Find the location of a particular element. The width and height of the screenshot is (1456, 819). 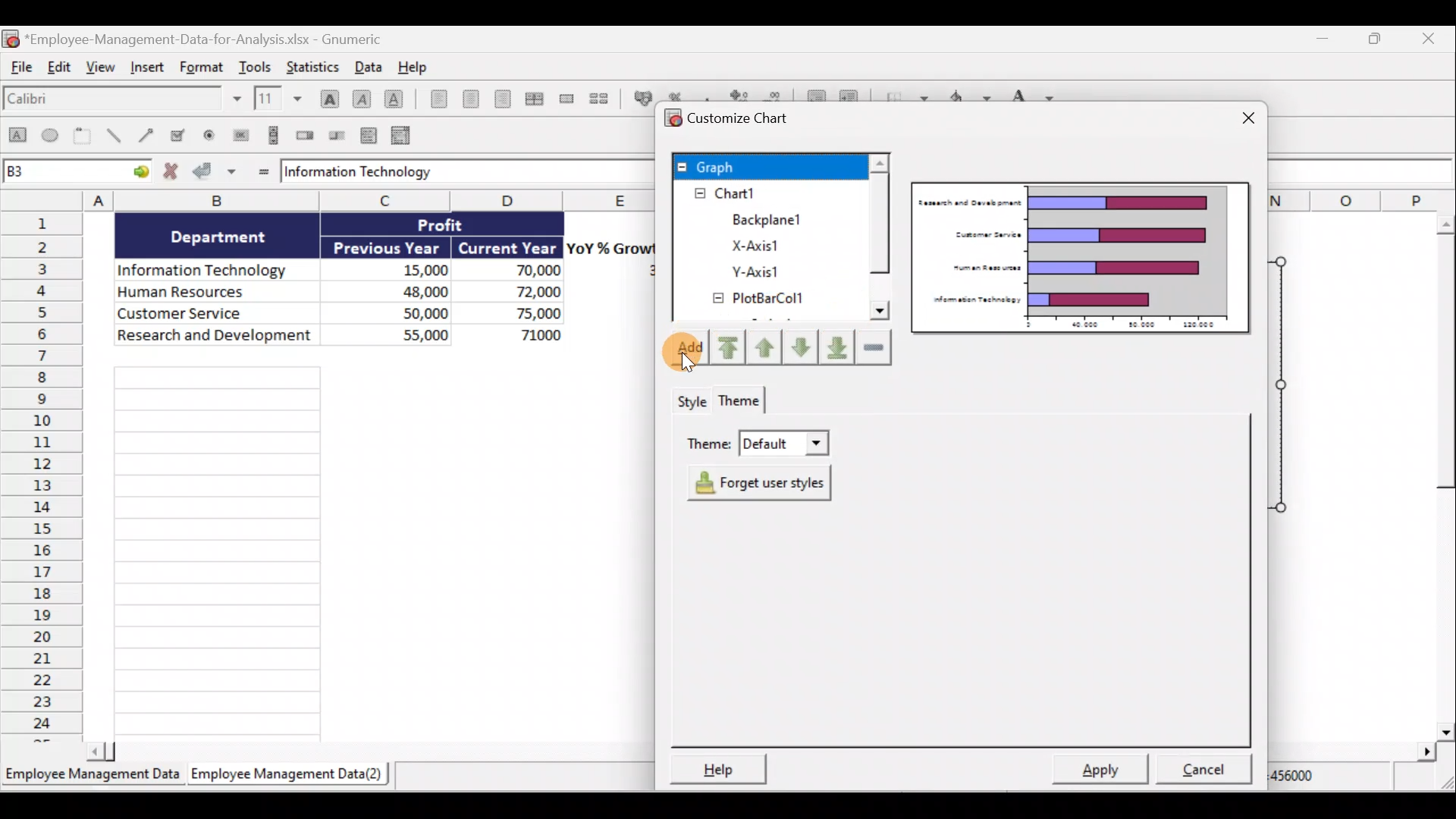

Create a line object is located at coordinates (117, 136).